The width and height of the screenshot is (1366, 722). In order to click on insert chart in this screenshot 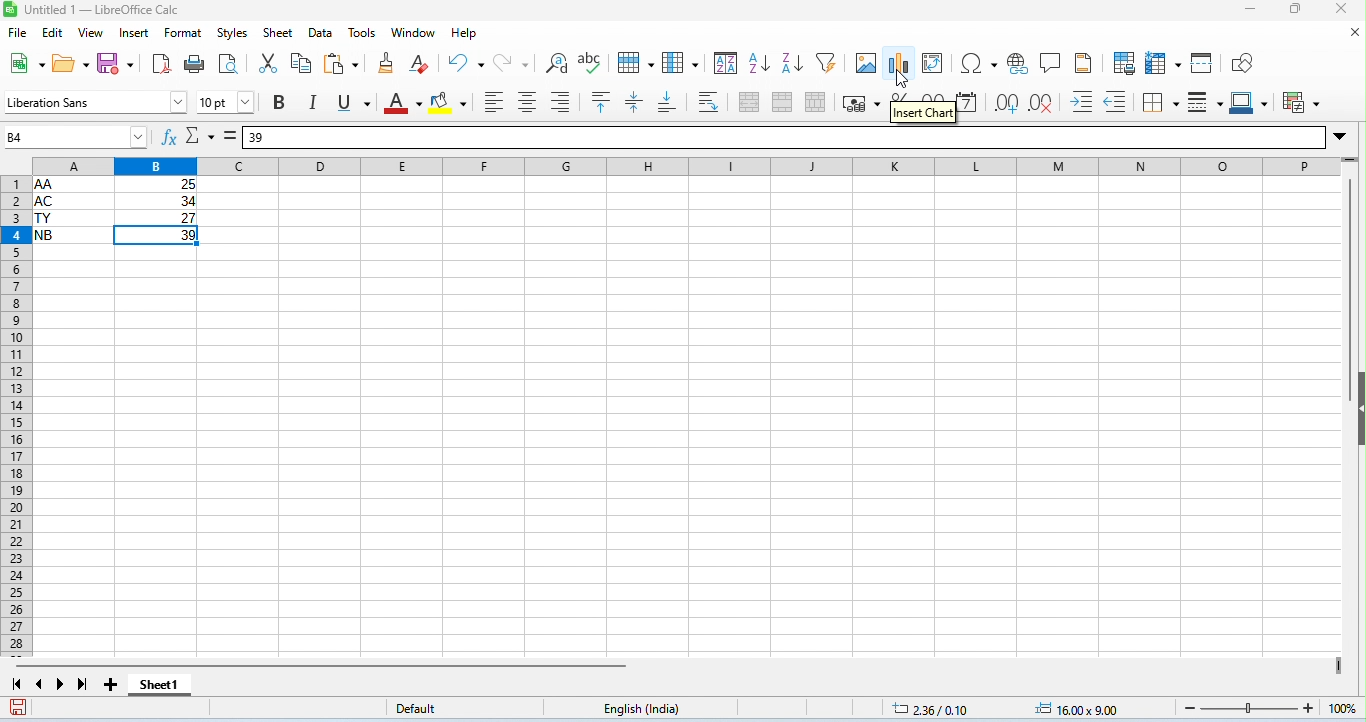, I will do `click(898, 63)`.